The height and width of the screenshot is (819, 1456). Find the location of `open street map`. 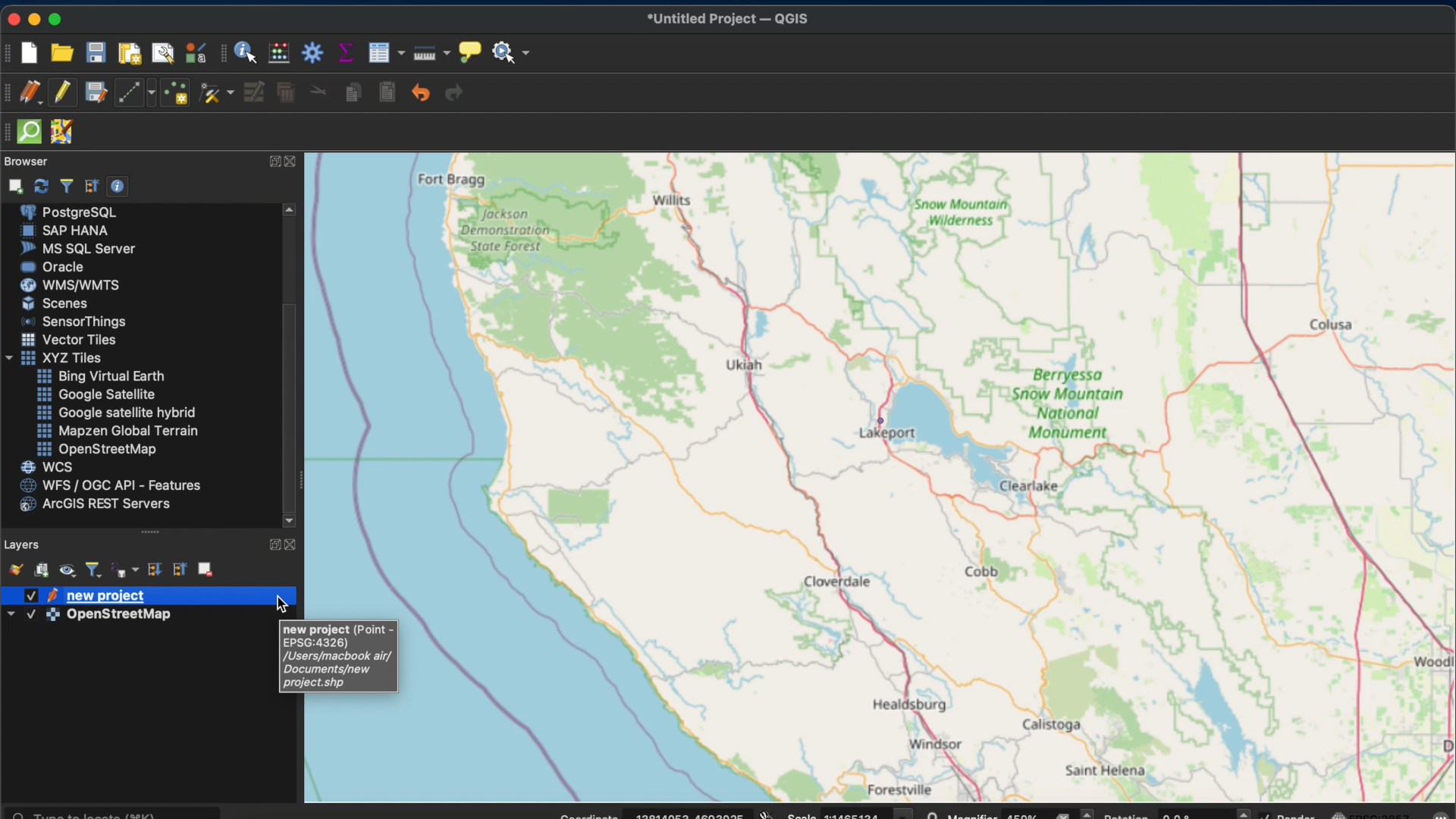

open street map is located at coordinates (928, 657).